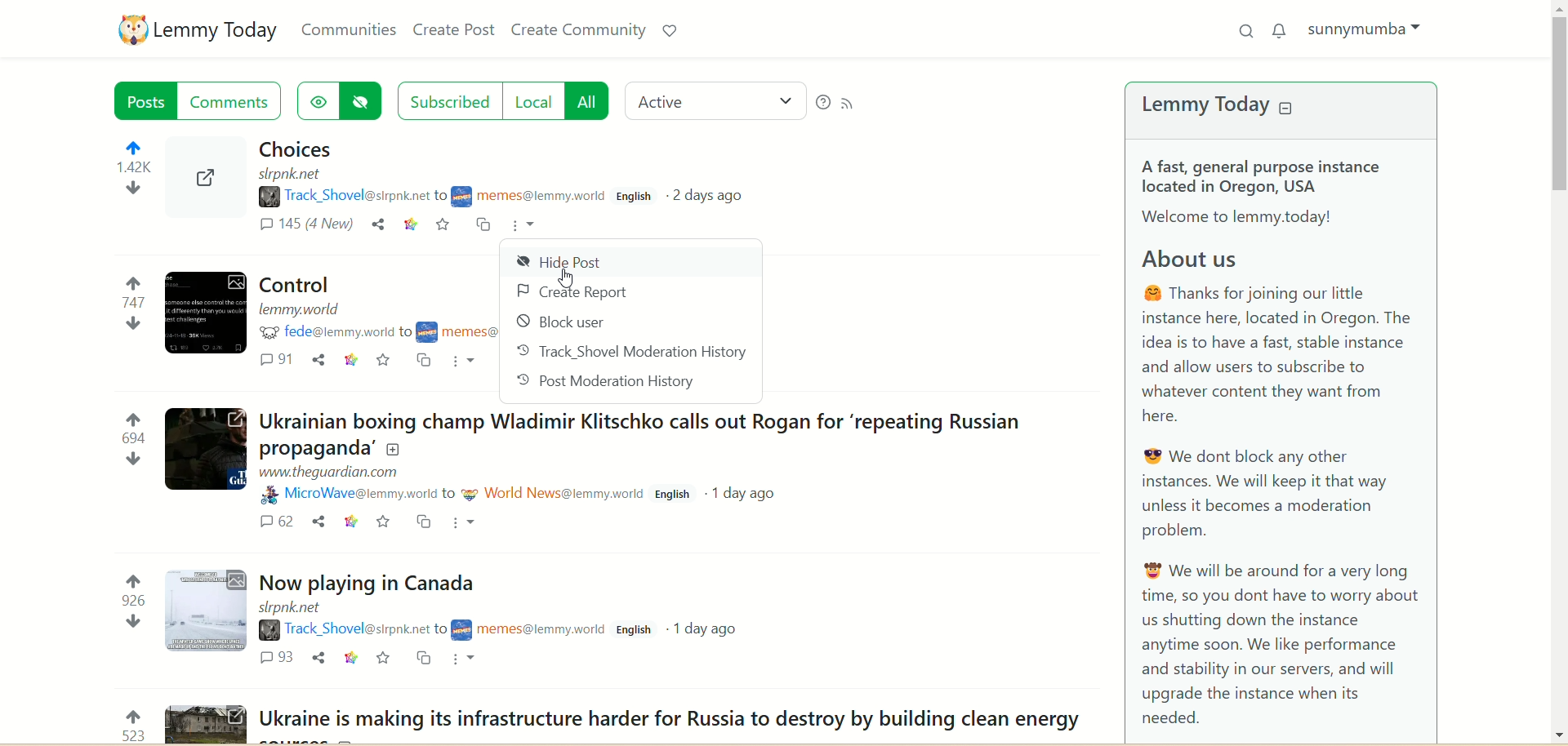  I want to click on all, so click(586, 100).